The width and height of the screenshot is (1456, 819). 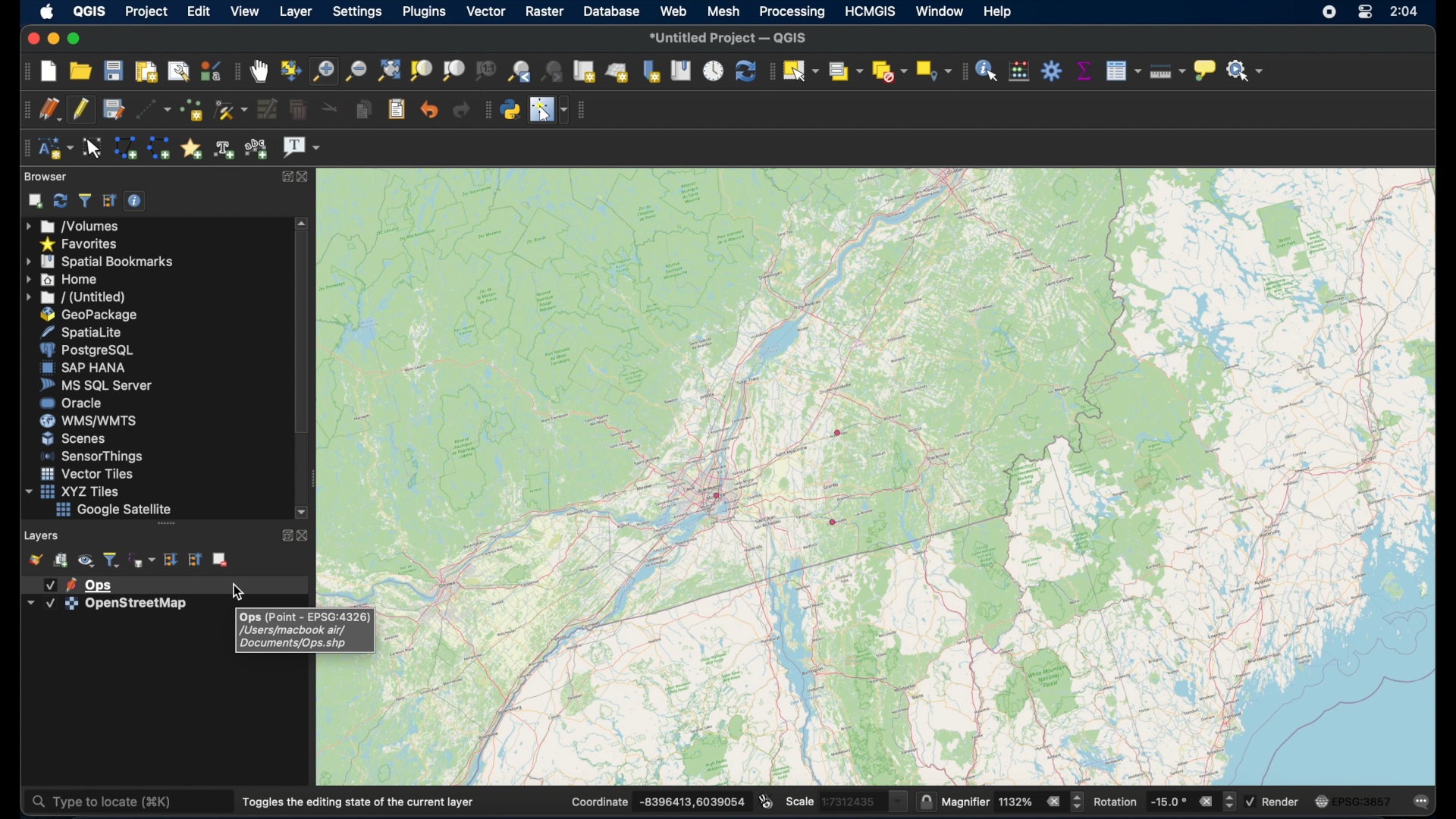 I want to click on cut features, so click(x=329, y=108).